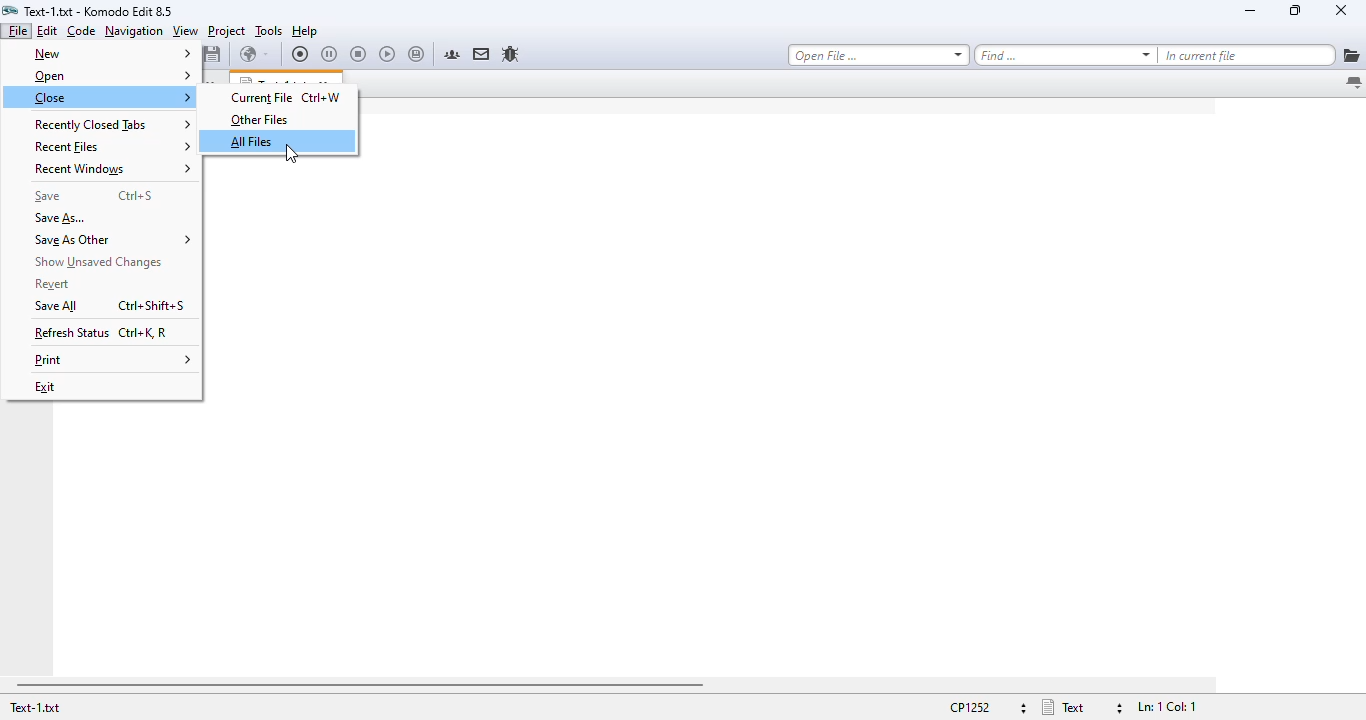 The image size is (1366, 720). I want to click on exit, so click(46, 386).